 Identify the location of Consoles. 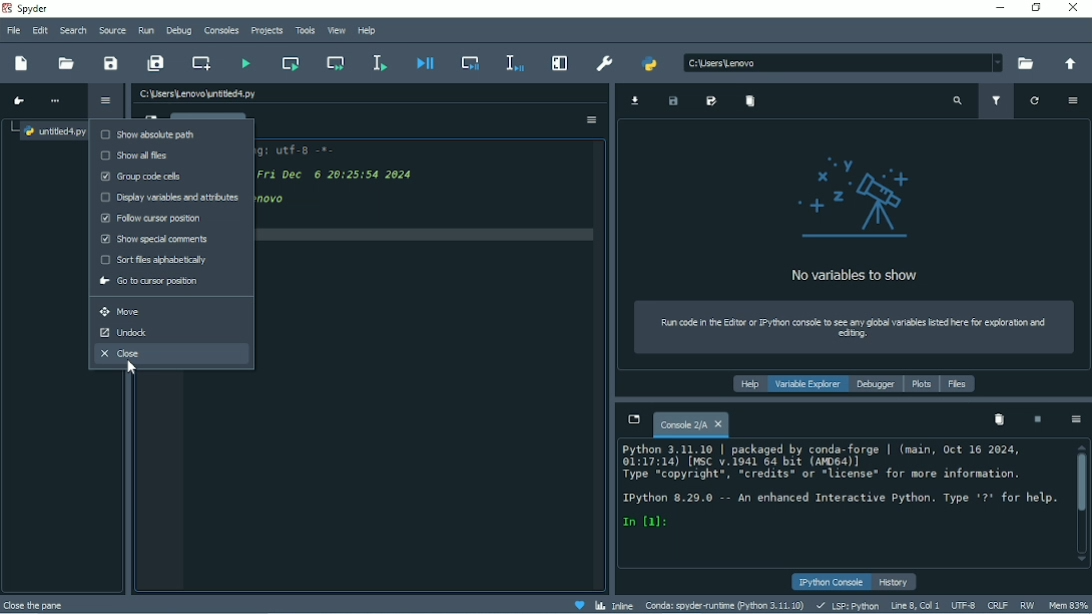
(221, 31).